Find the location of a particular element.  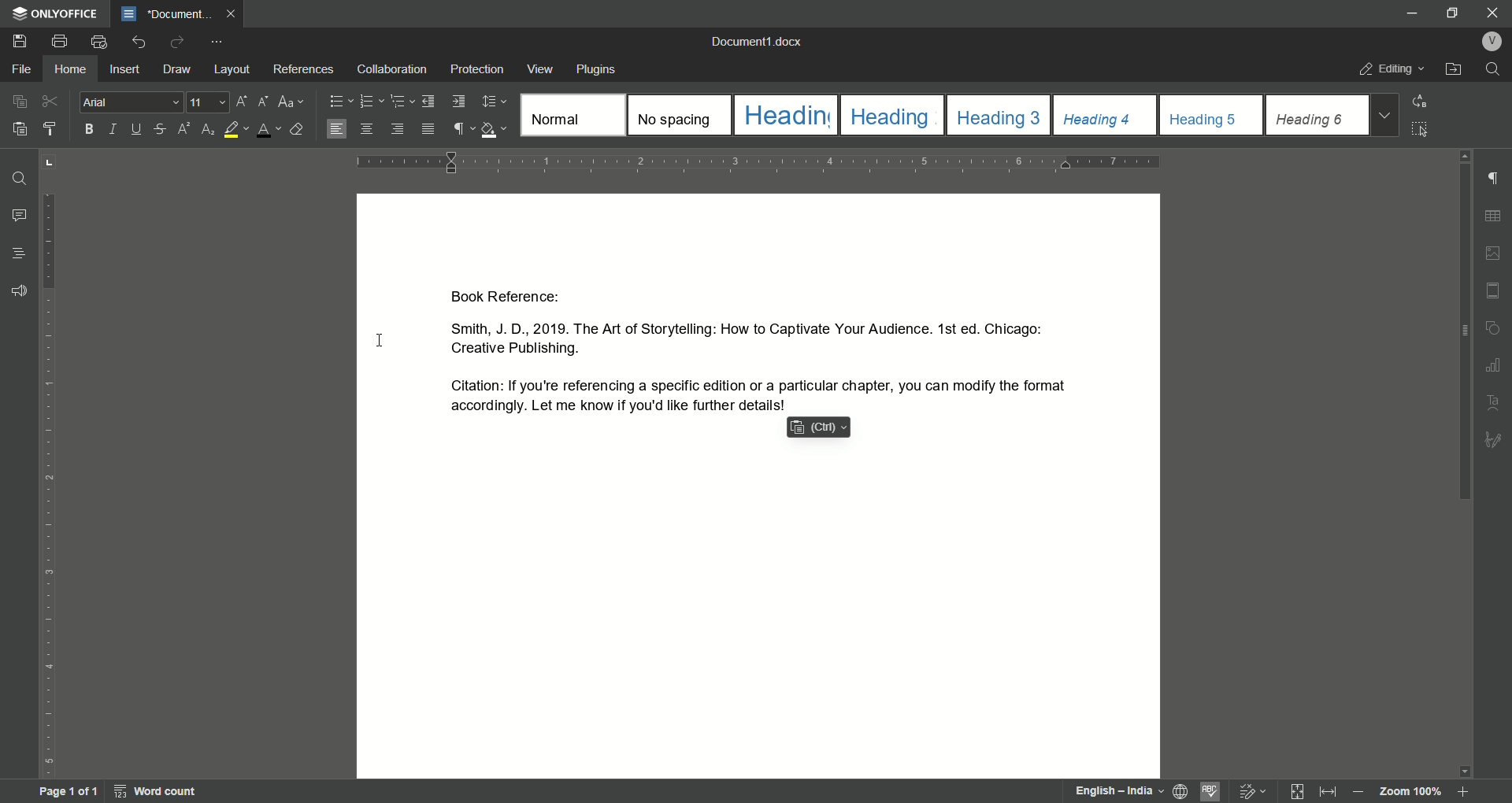

view is located at coordinates (541, 69).